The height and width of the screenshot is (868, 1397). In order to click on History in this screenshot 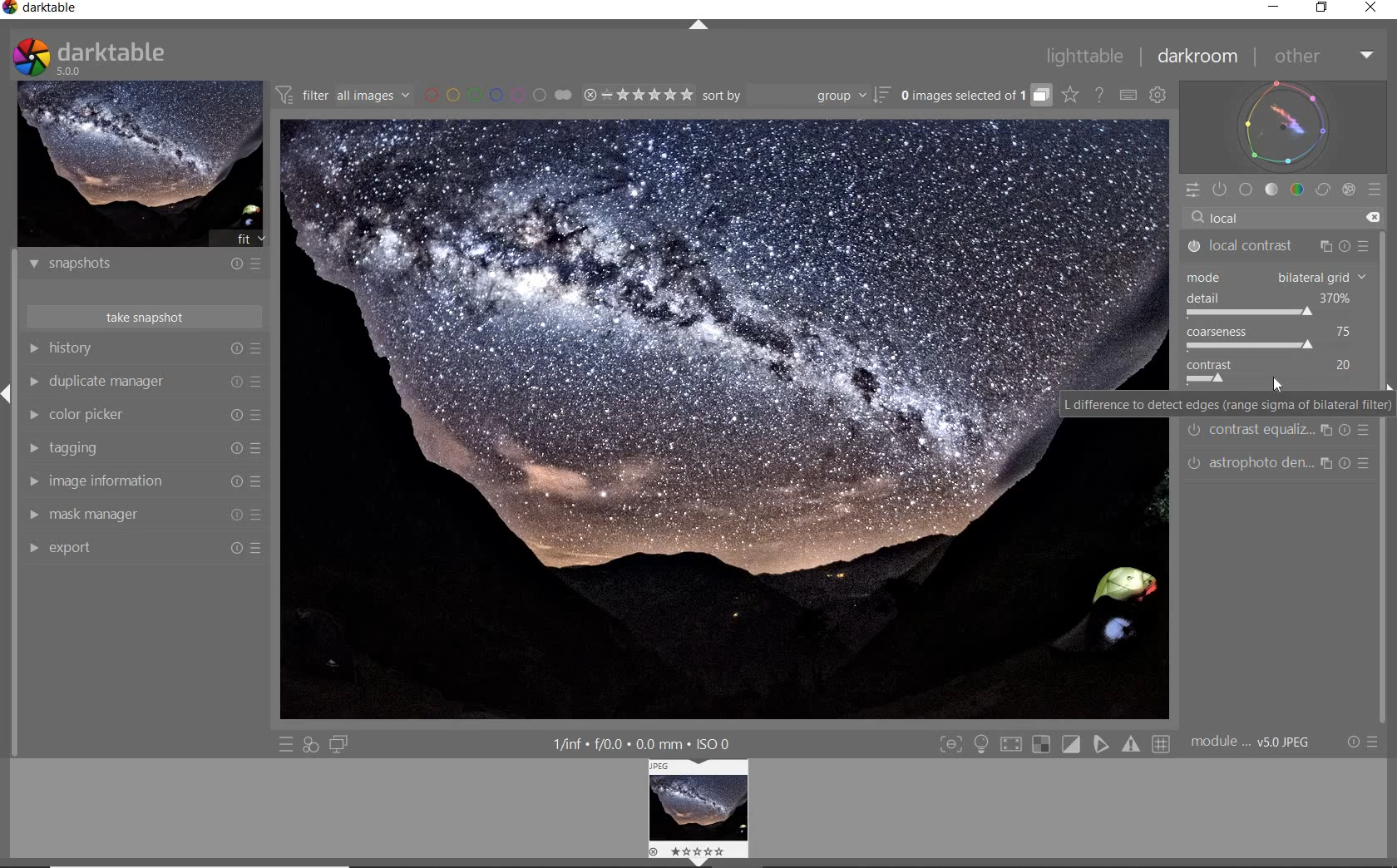, I will do `click(86, 349)`.